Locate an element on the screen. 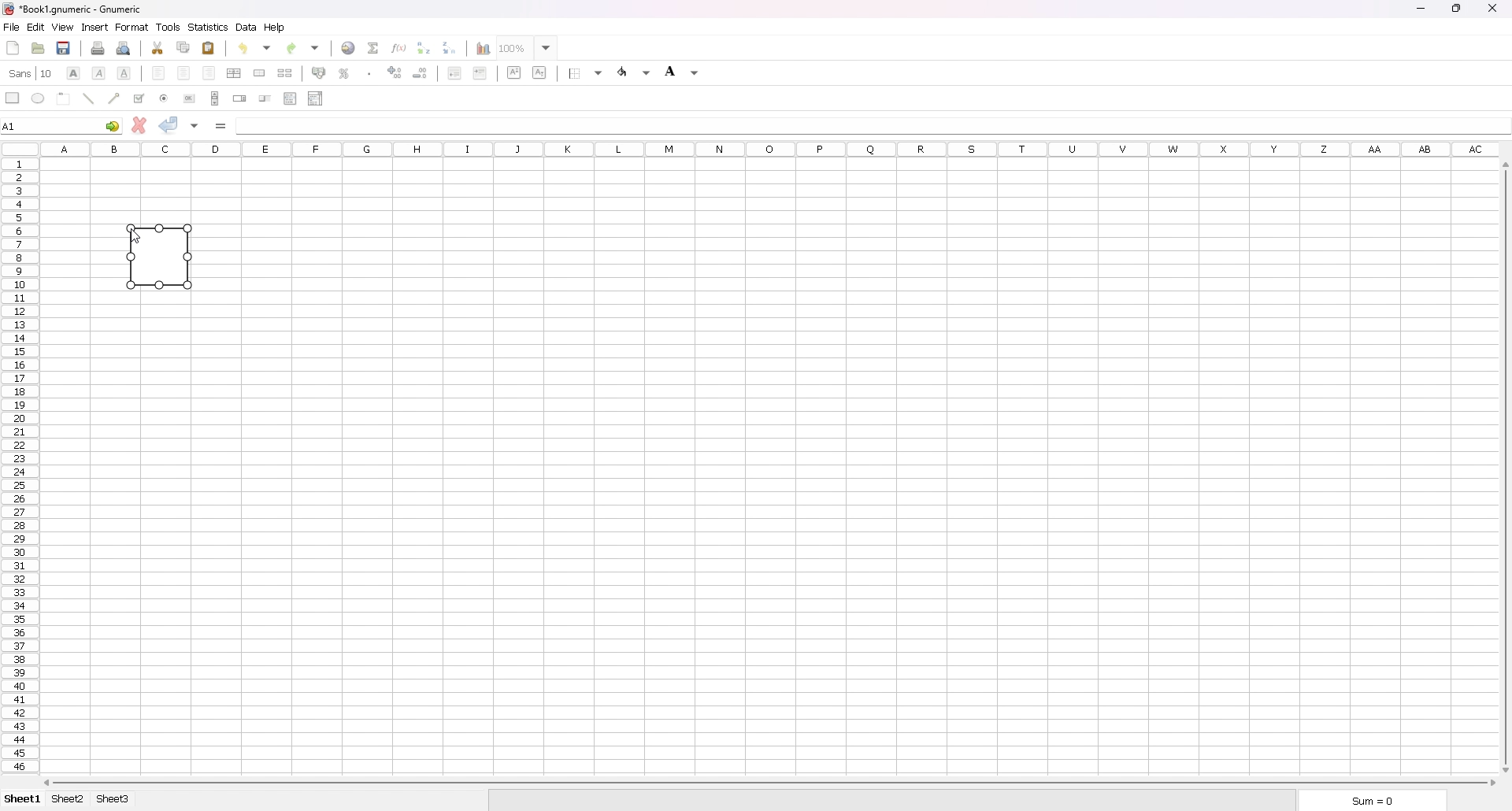  minimize is located at coordinates (1421, 9).